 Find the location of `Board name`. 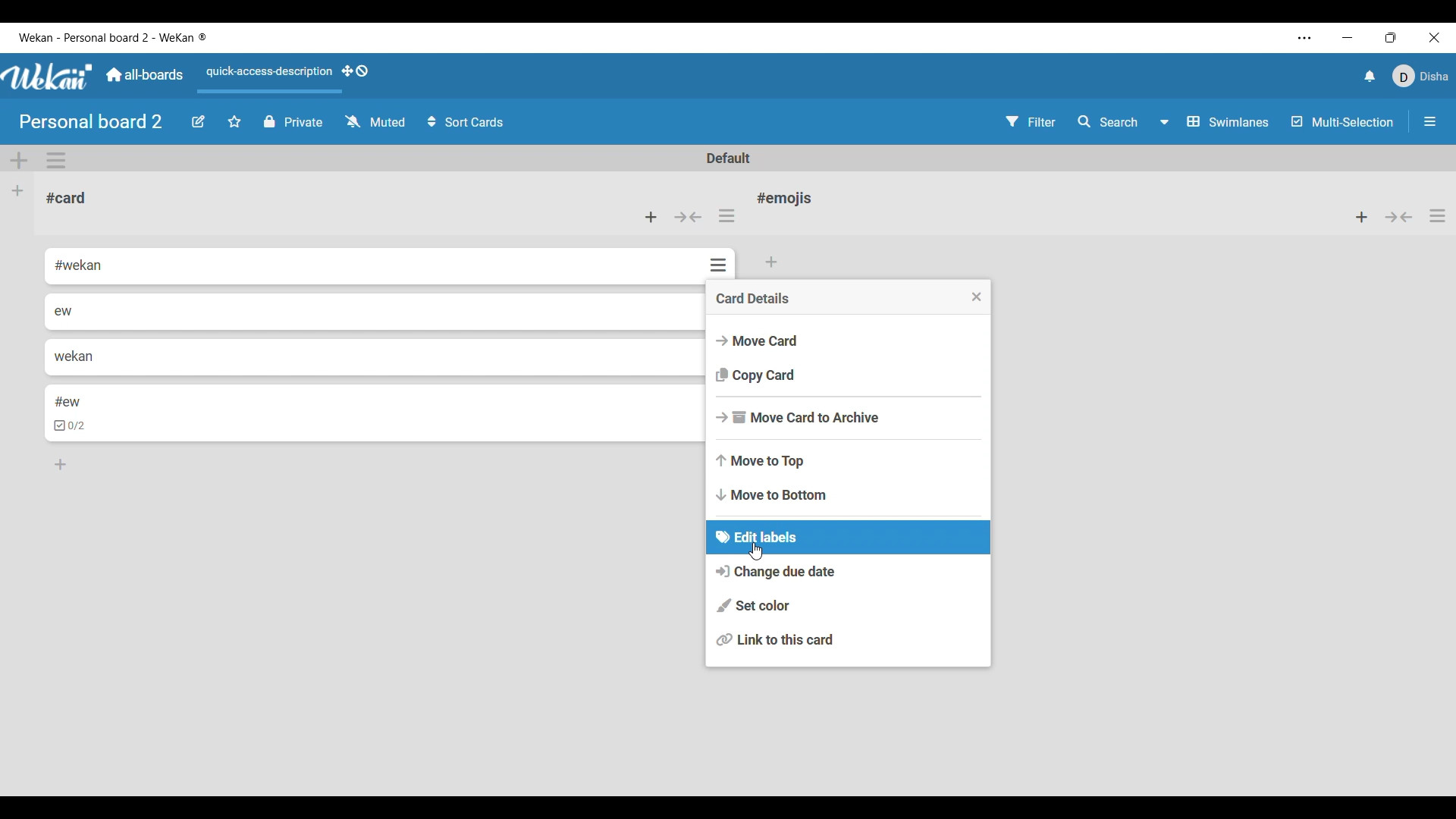

Board name is located at coordinates (90, 121).